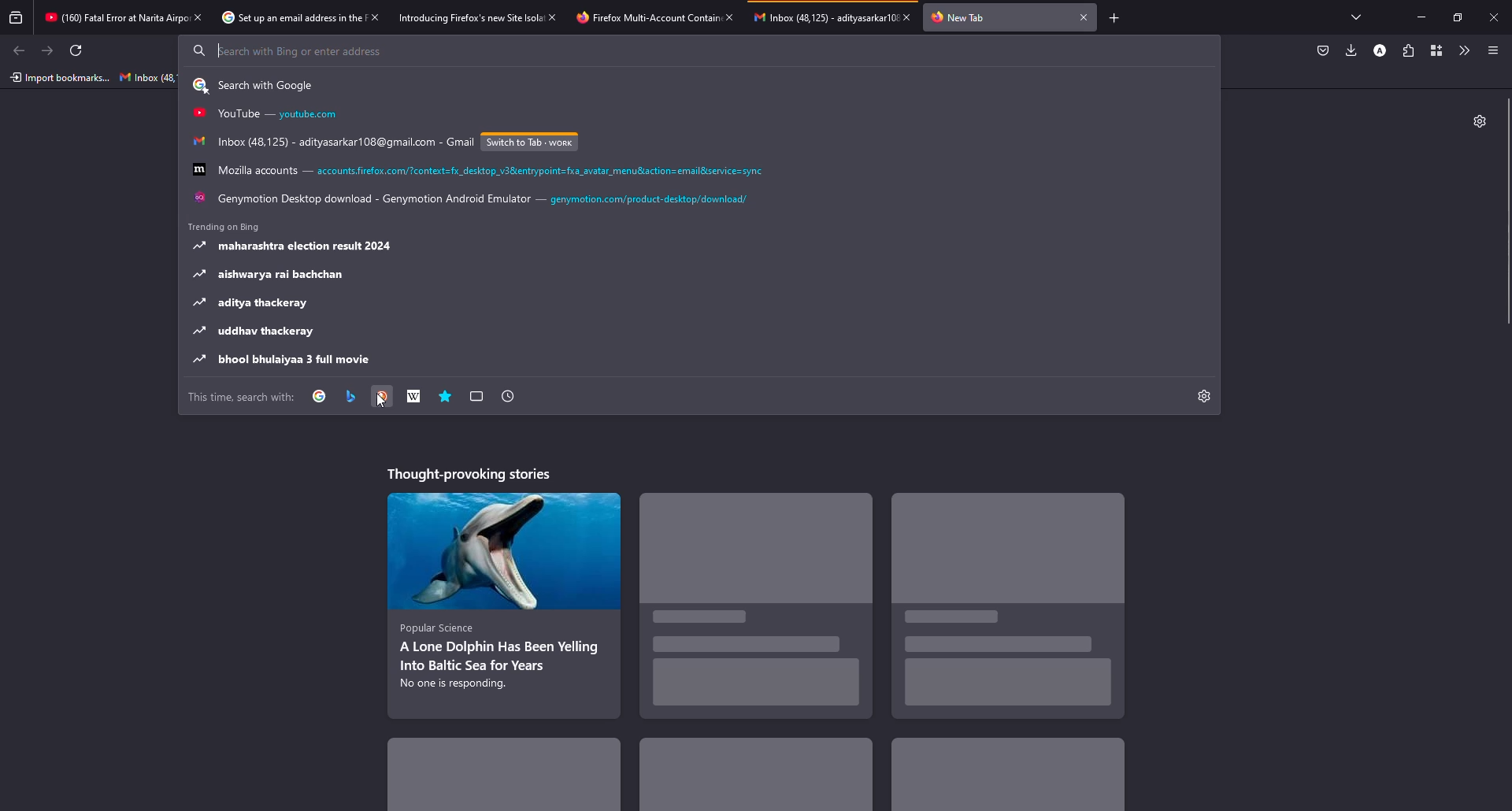 The width and height of the screenshot is (1512, 811). I want to click on refresh, so click(74, 50).